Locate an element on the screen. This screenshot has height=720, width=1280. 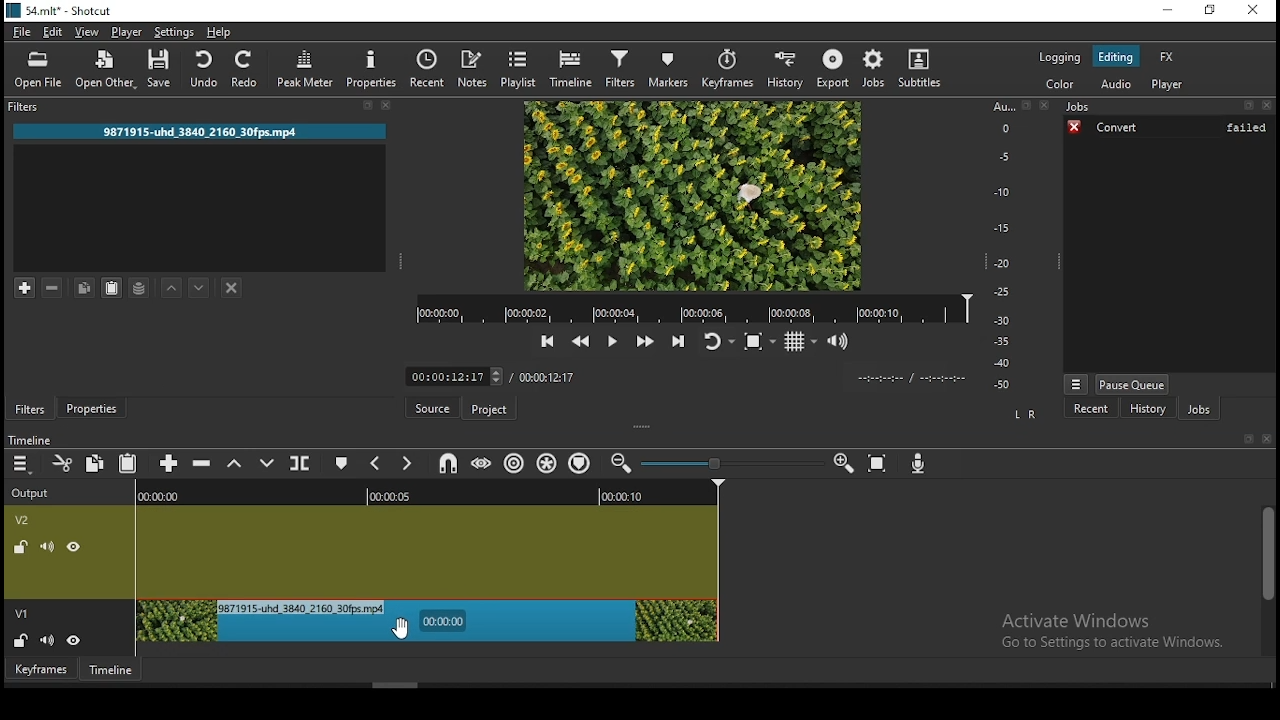
history is located at coordinates (1146, 407).